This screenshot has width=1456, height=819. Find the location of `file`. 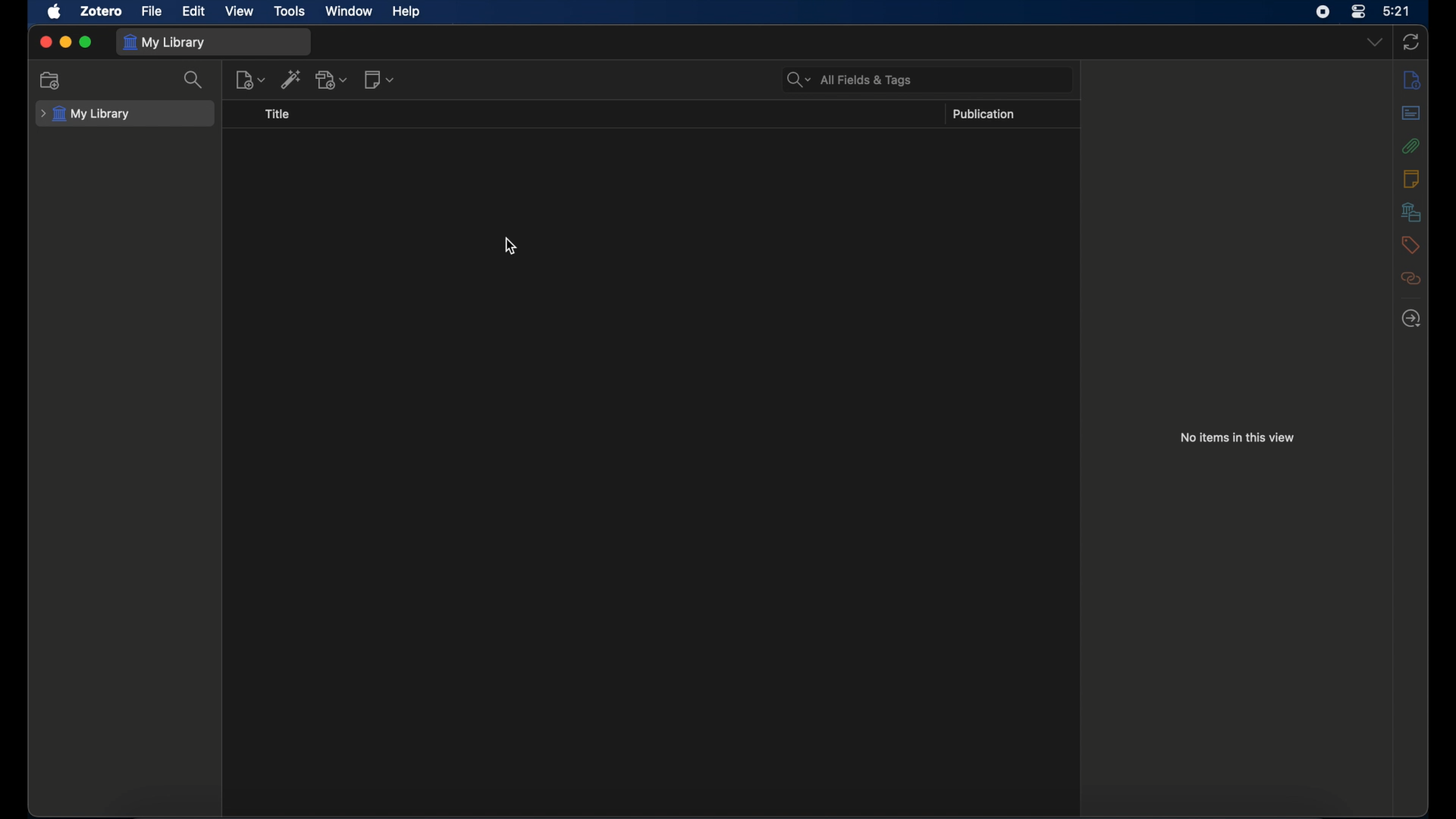

file is located at coordinates (153, 12).